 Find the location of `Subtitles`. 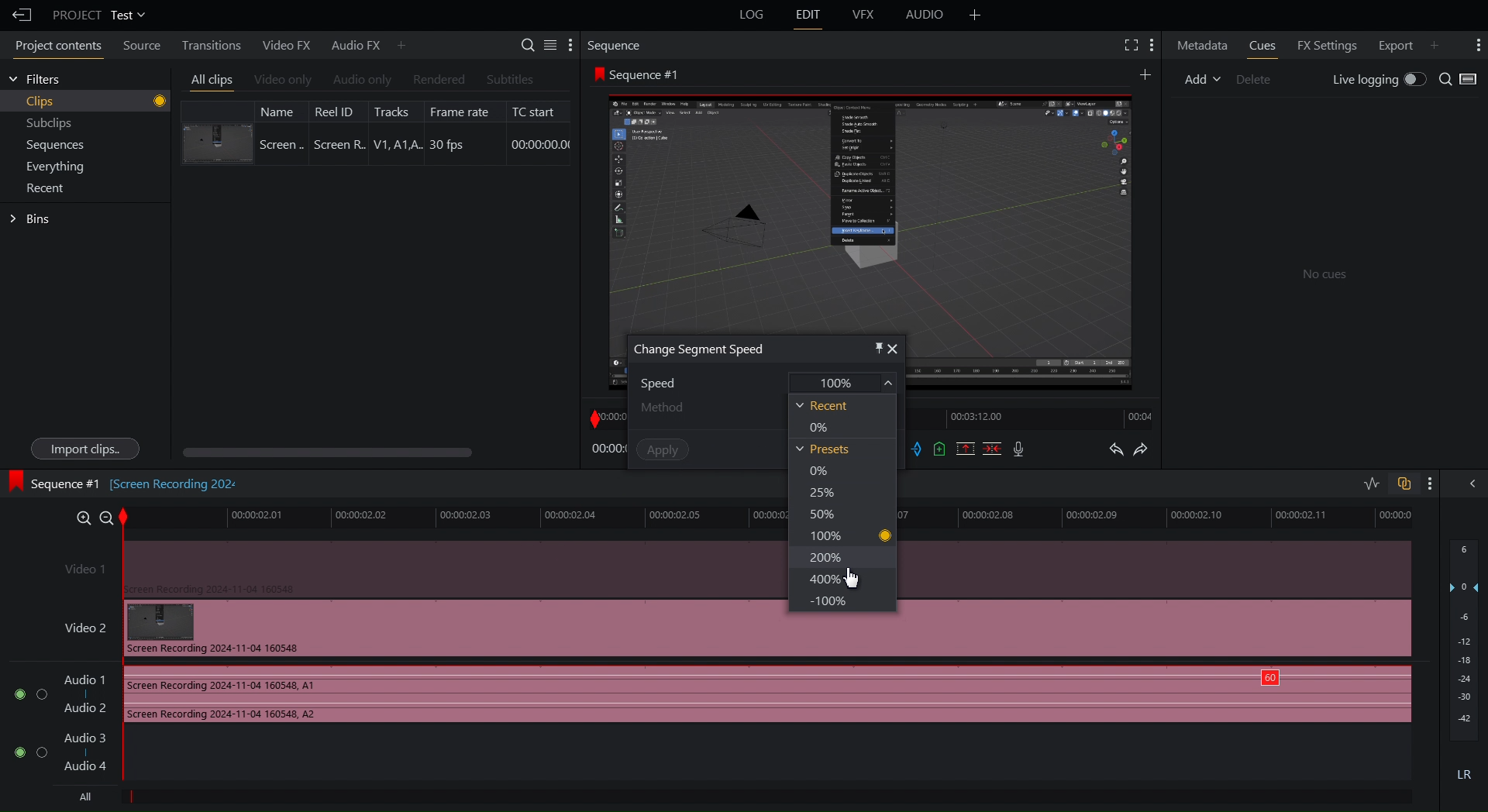

Subtitles is located at coordinates (511, 79).